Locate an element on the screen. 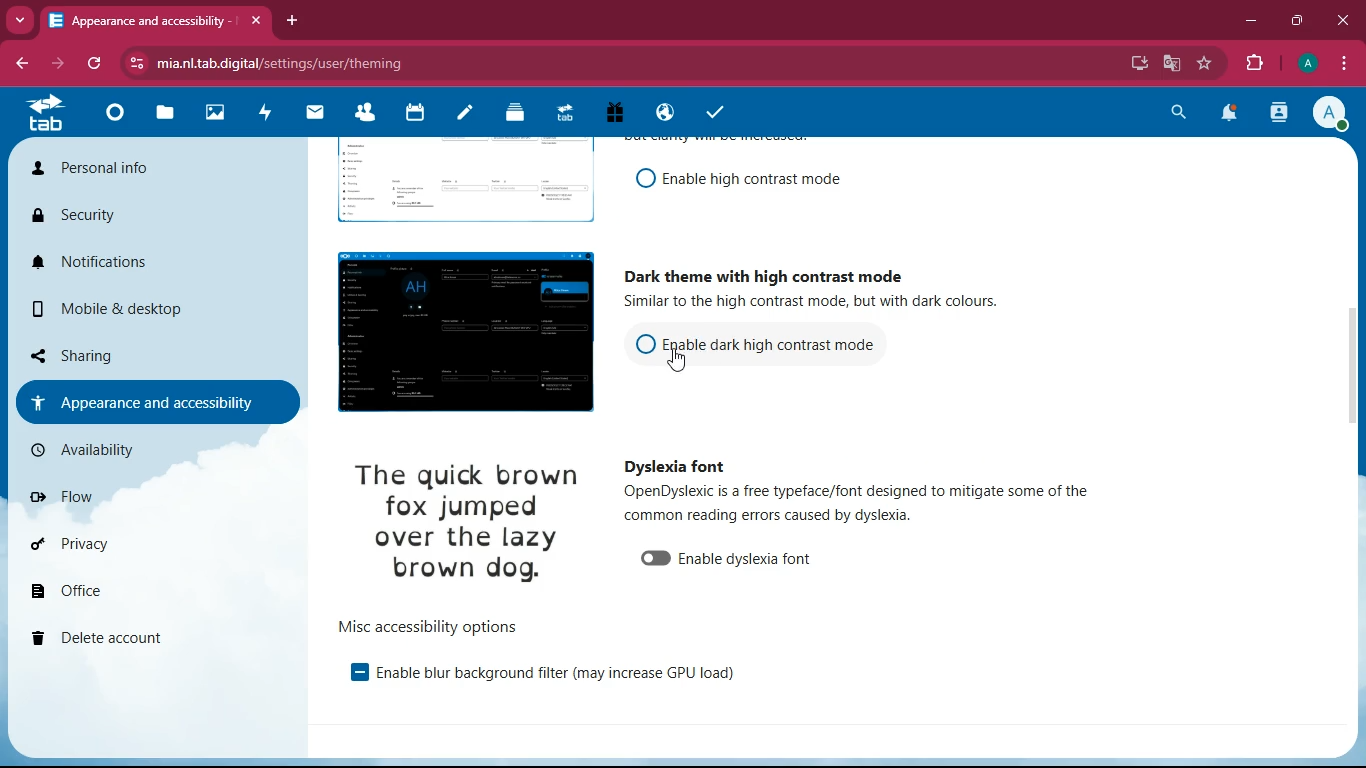  extensions is located at coordinates (1253, 62).